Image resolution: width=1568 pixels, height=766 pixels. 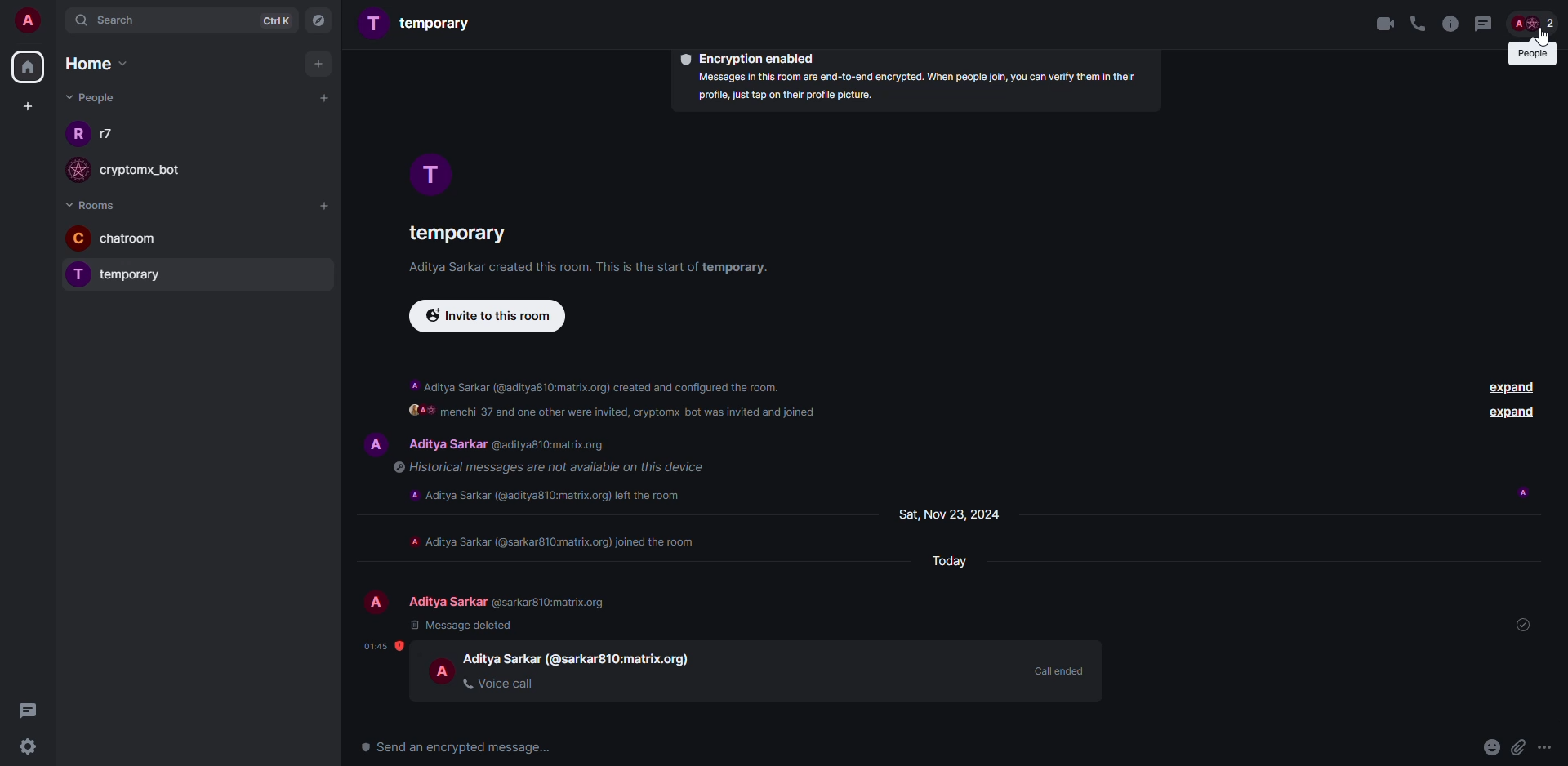 I want to click on info, so click(x=595, y=268).